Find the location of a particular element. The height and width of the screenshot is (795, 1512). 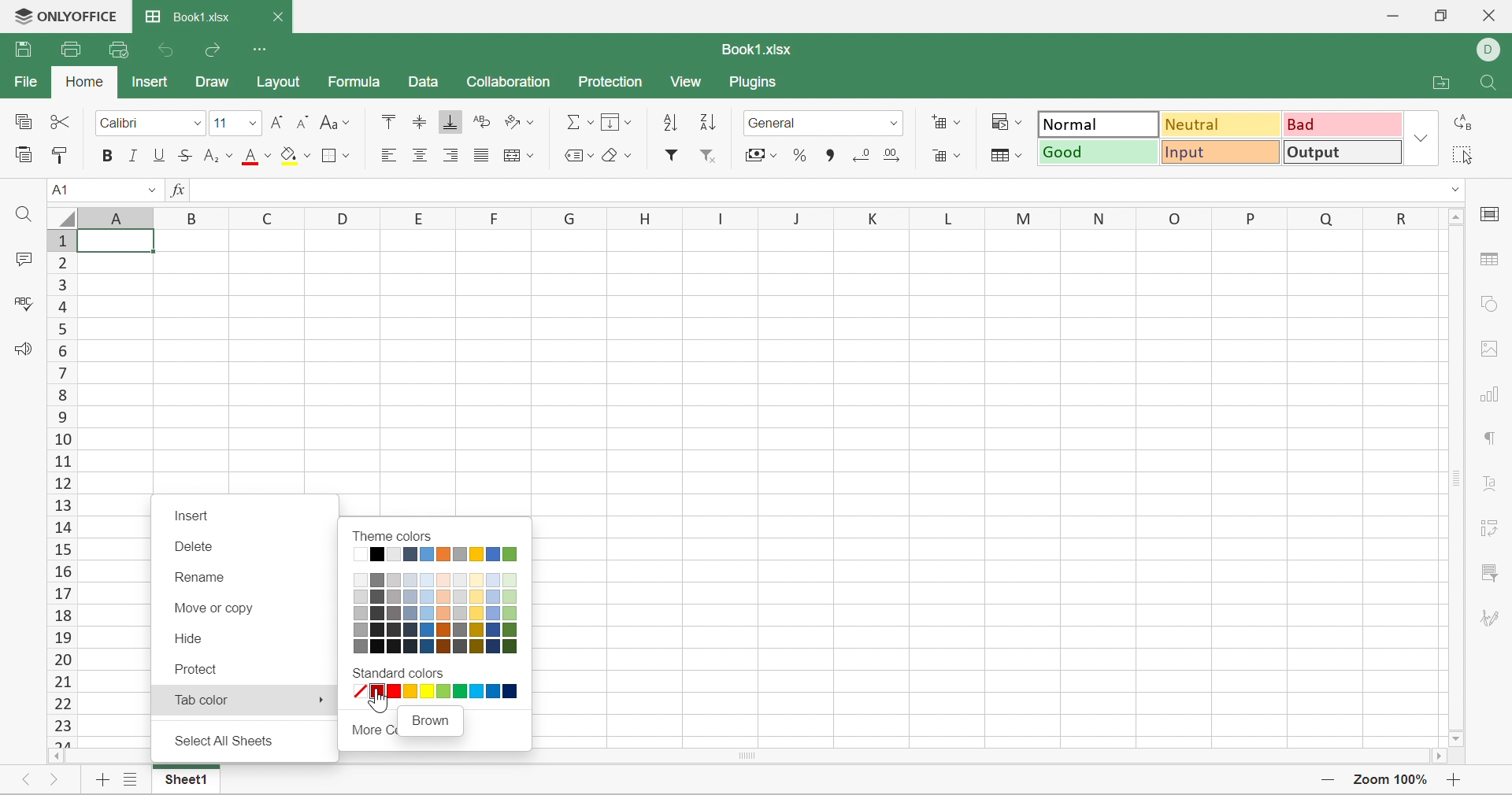

Q is located at coordinates (1327, 216).